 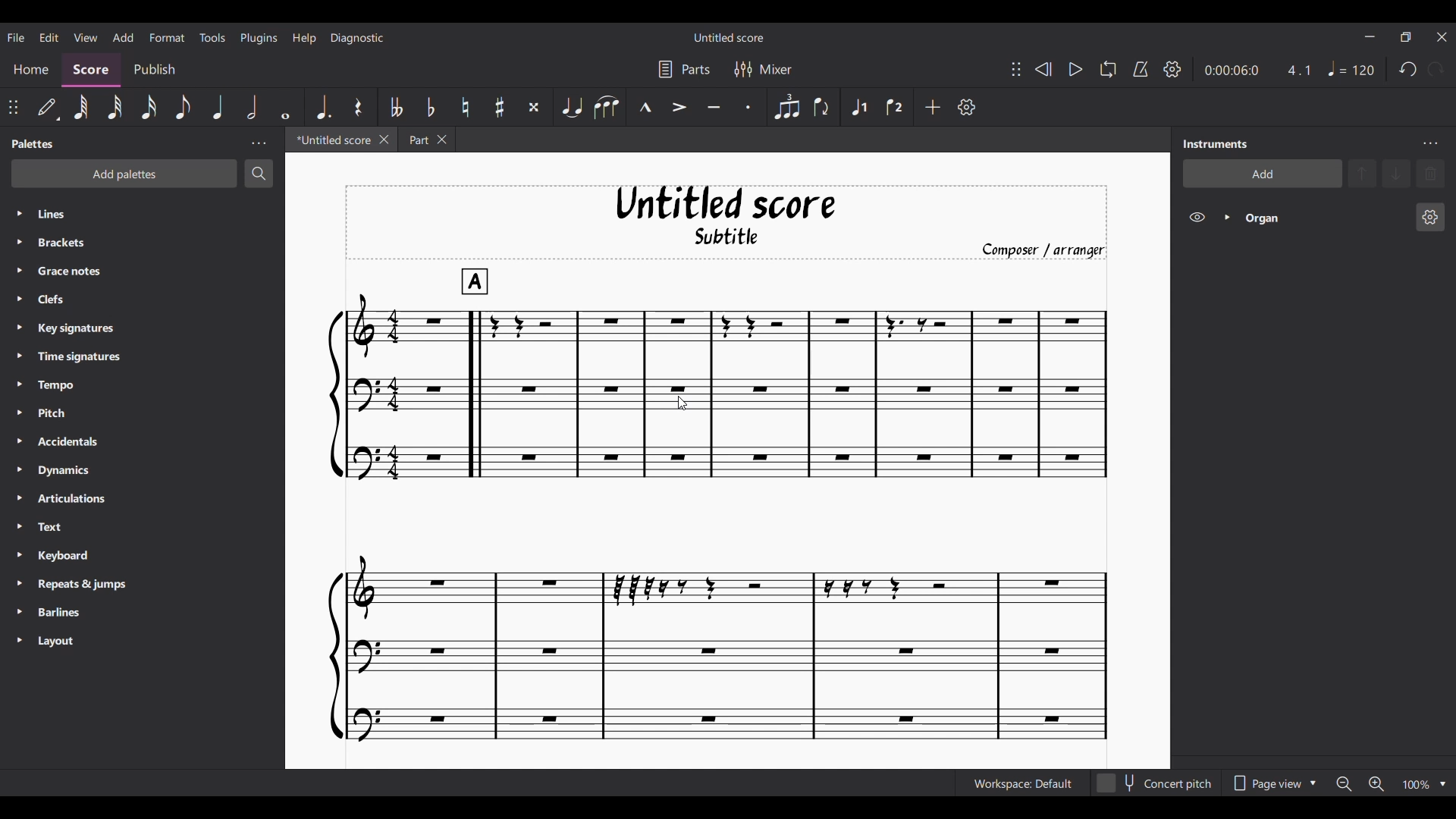 What do you see at coordinates (304, 38) in the screenshot?
I see `Help menu` at bounding box center [304, 38].